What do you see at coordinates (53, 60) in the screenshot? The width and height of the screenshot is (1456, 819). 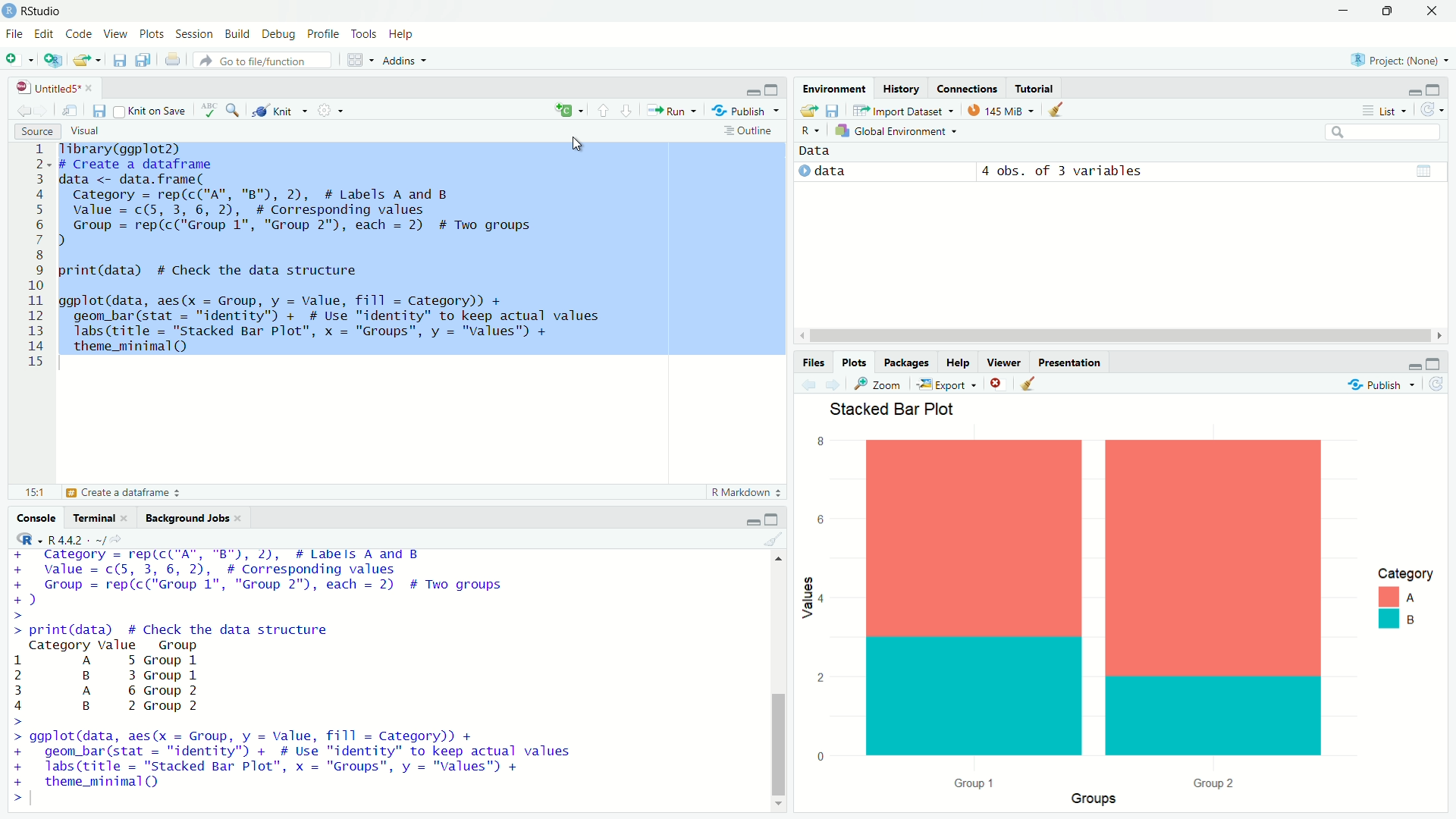 I see `Create a project` at bounding box center [53, 60].